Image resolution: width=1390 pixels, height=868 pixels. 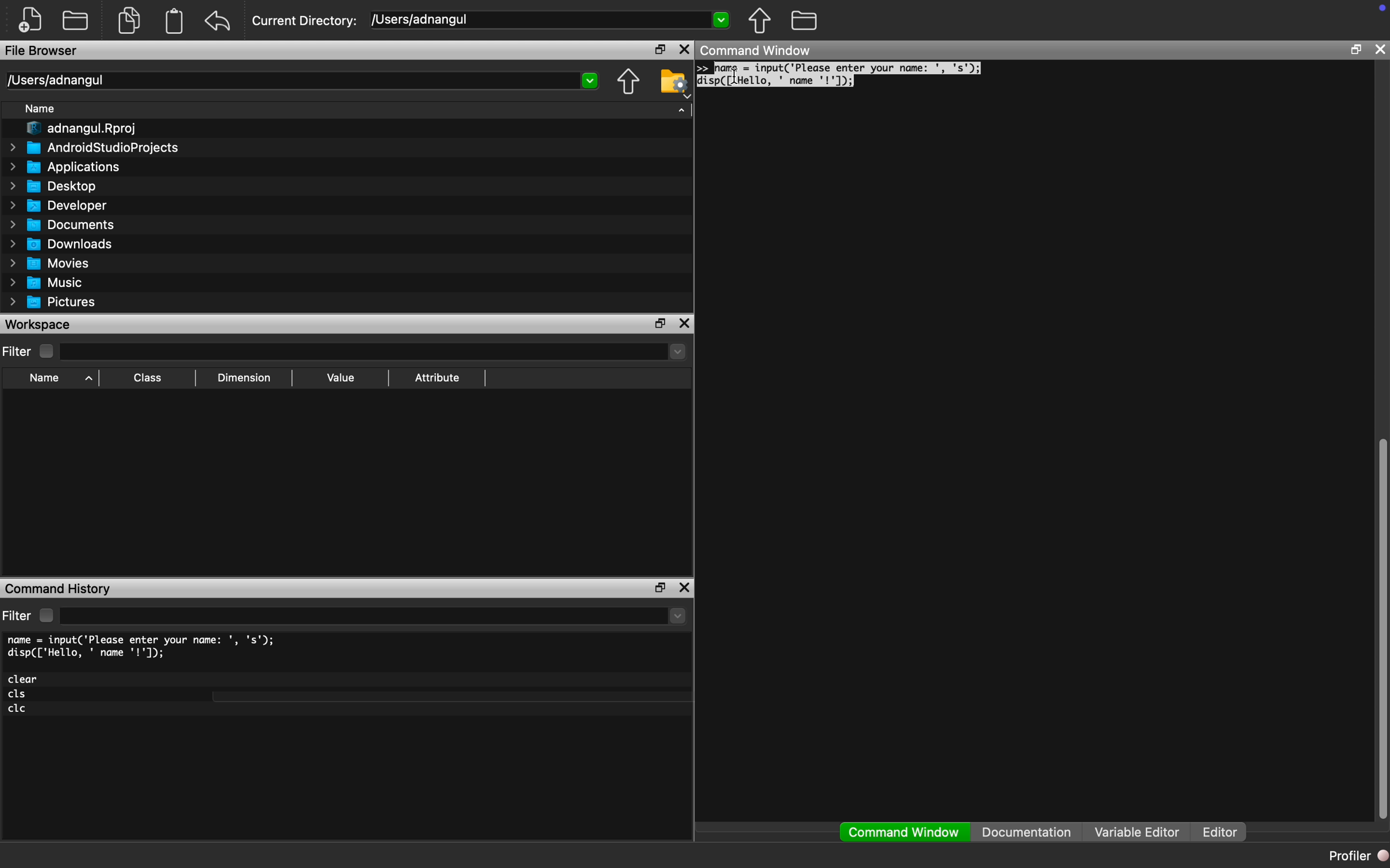 I want to click on Attribute, so click(x=437, y=377).